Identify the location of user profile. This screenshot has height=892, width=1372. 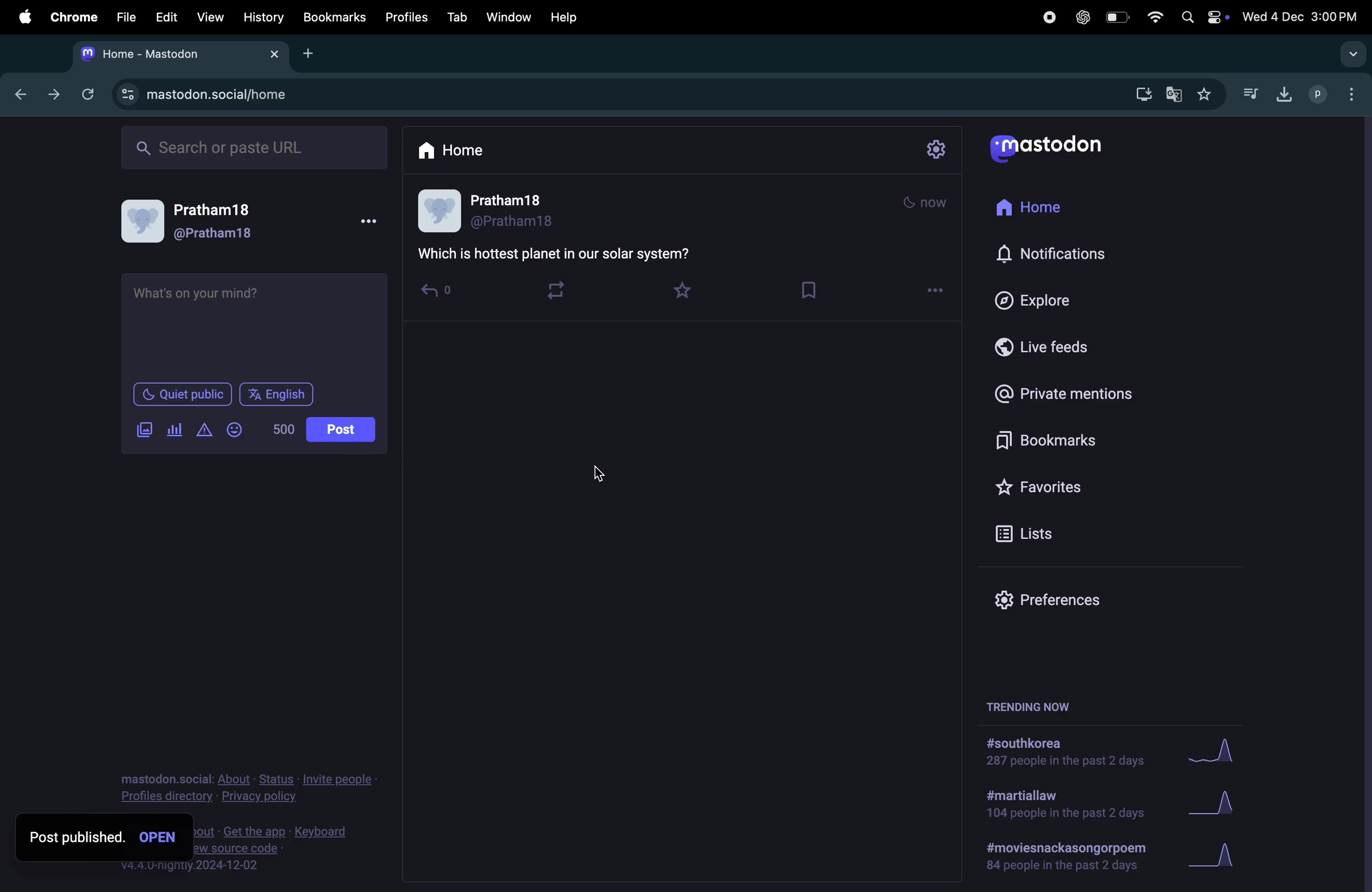
(502, 211).